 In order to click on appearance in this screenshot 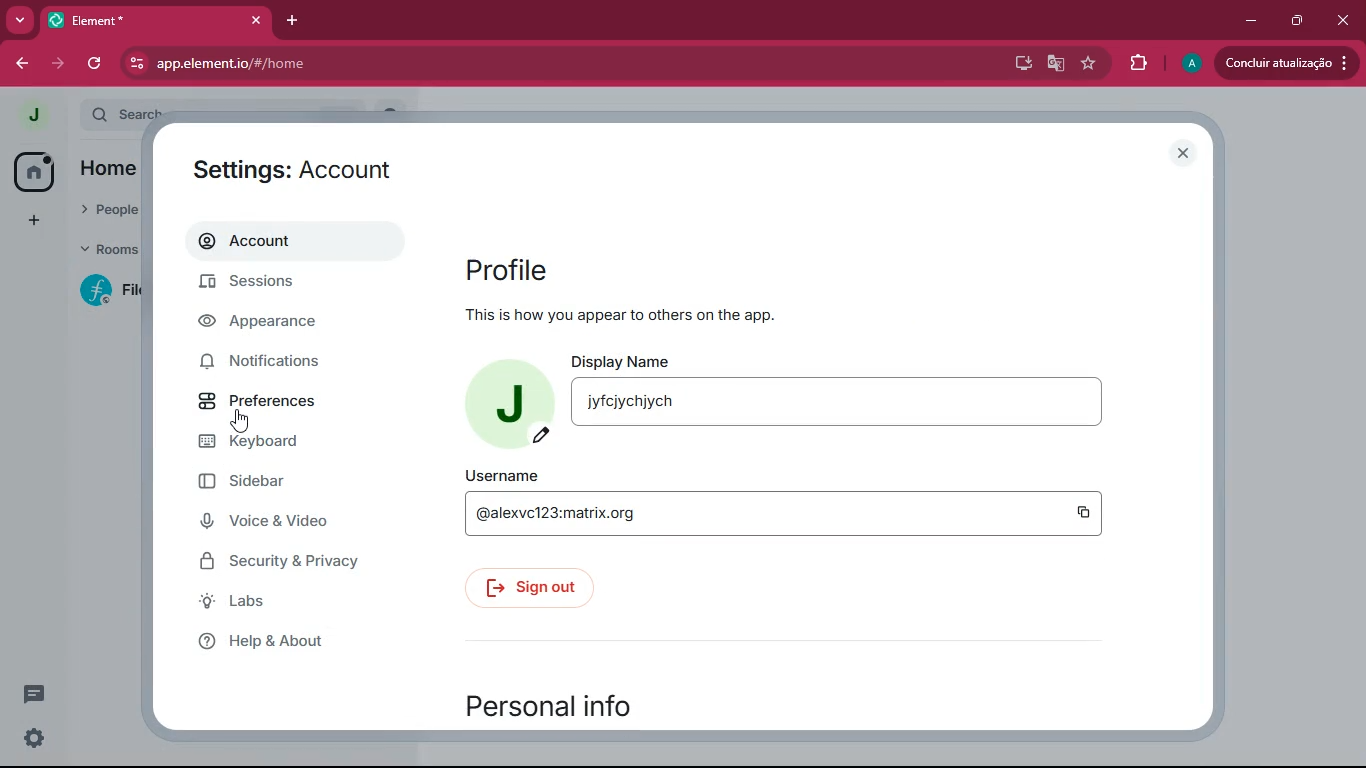, I will do `click(271, 326)`.